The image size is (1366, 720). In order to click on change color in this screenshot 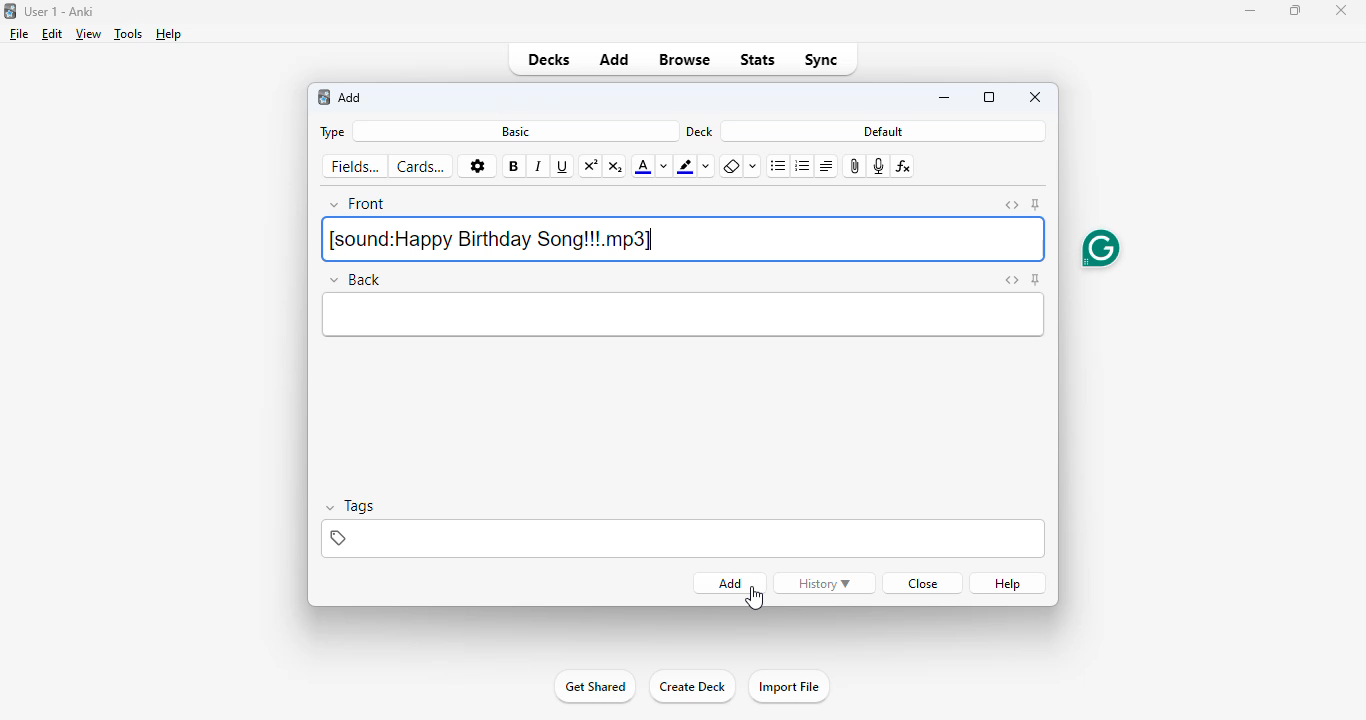, I will do `click(707, 167)`.